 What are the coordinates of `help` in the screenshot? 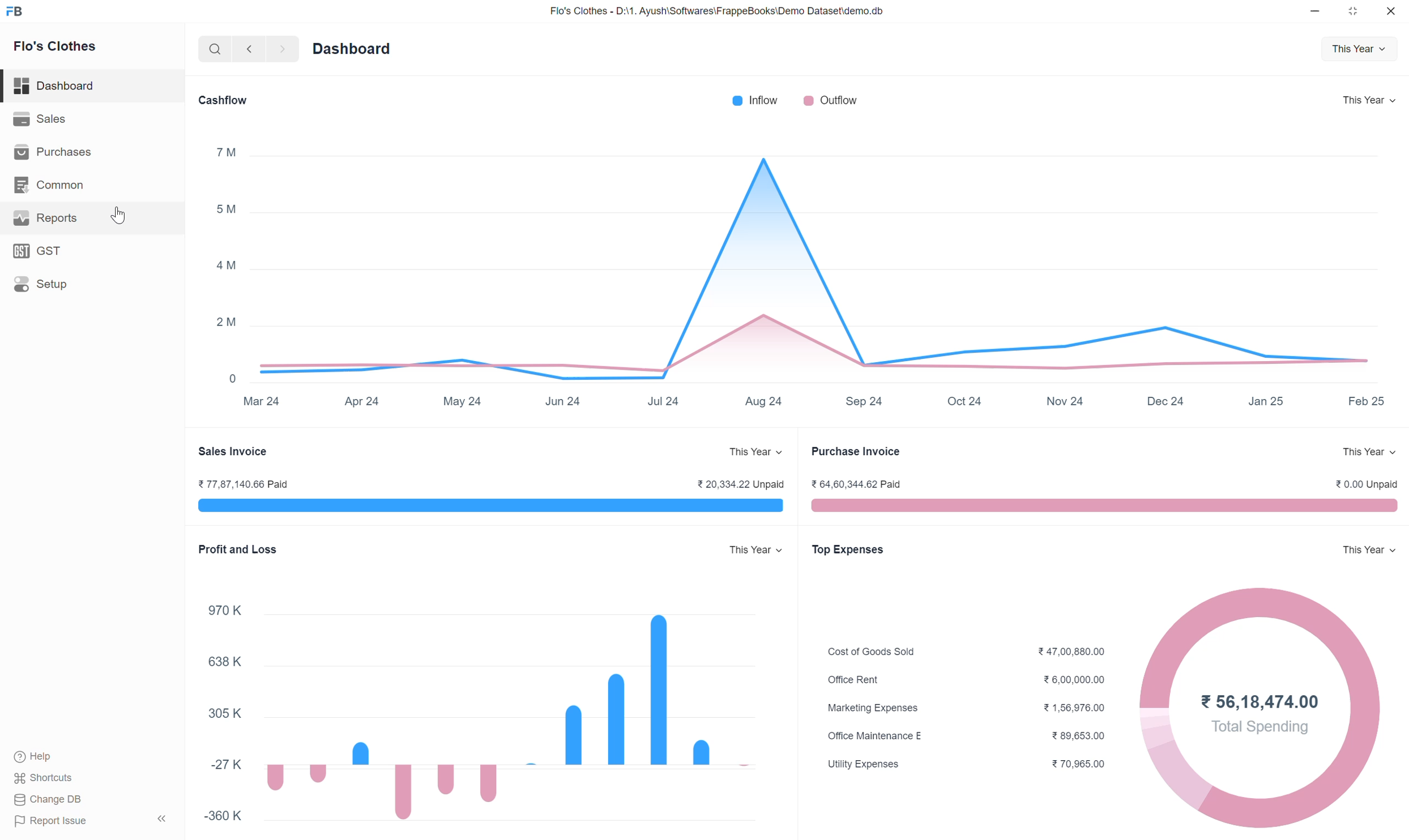 It's located at (42, 756).